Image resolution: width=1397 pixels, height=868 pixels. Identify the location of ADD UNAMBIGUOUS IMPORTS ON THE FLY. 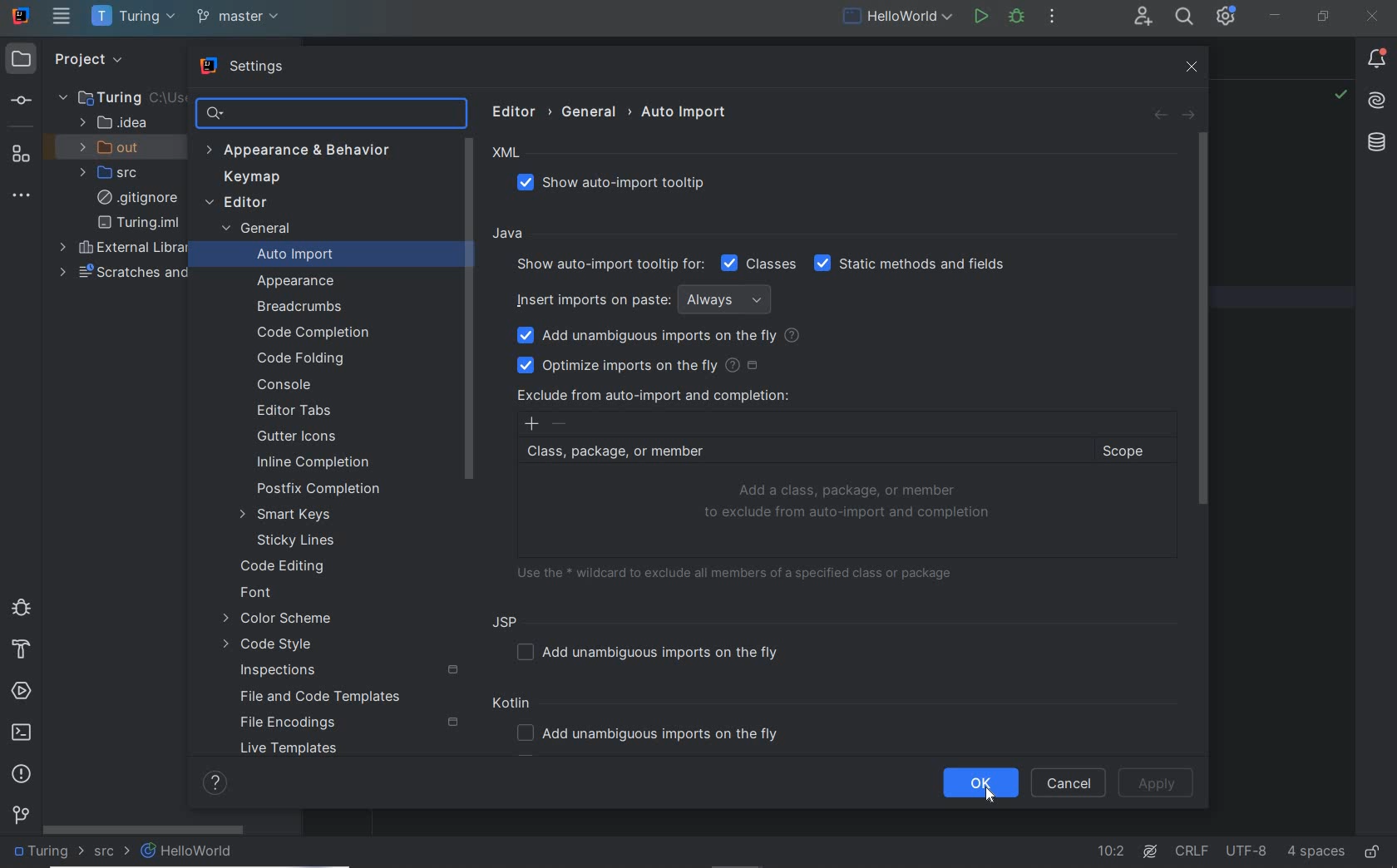
(654, 735).